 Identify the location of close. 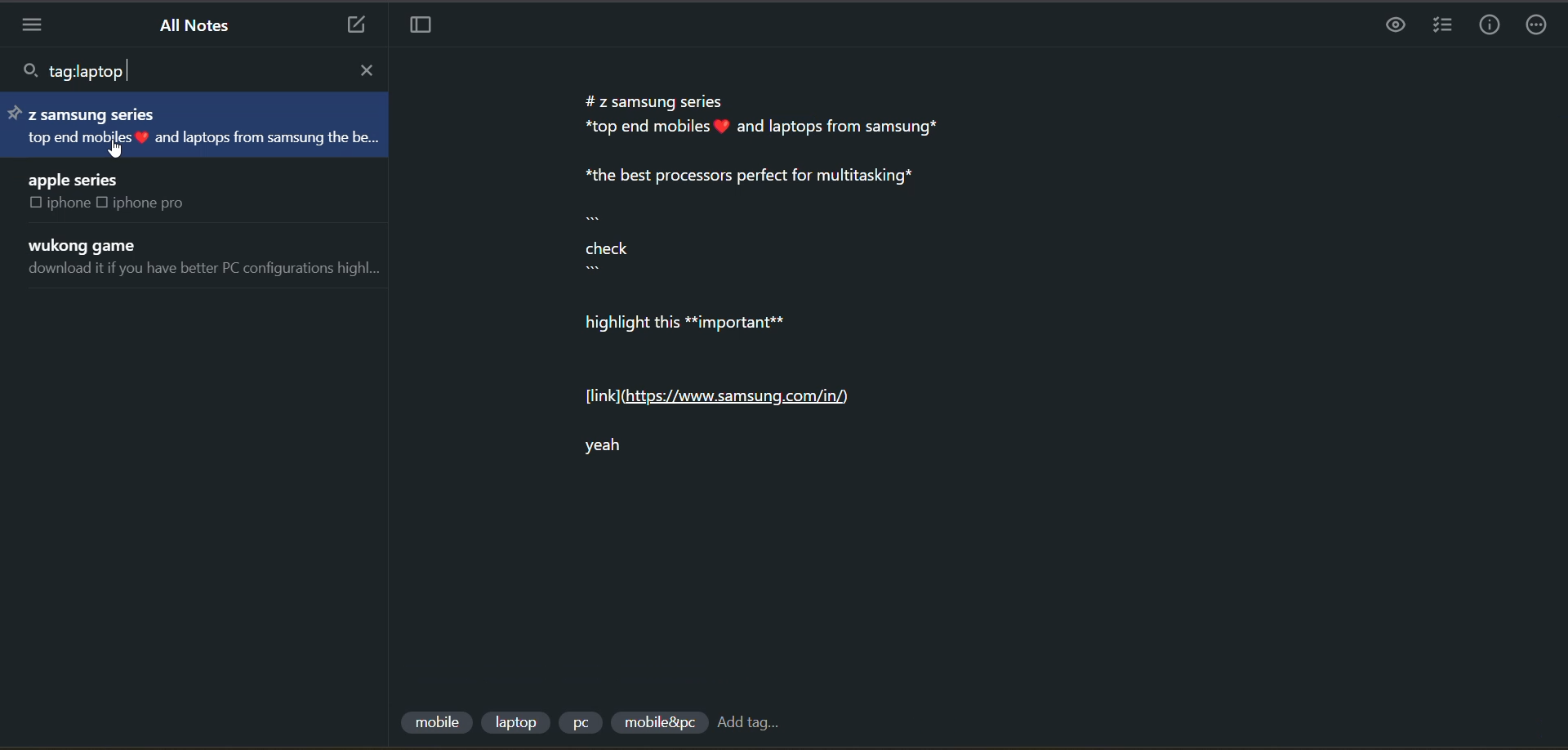
(371, 68).